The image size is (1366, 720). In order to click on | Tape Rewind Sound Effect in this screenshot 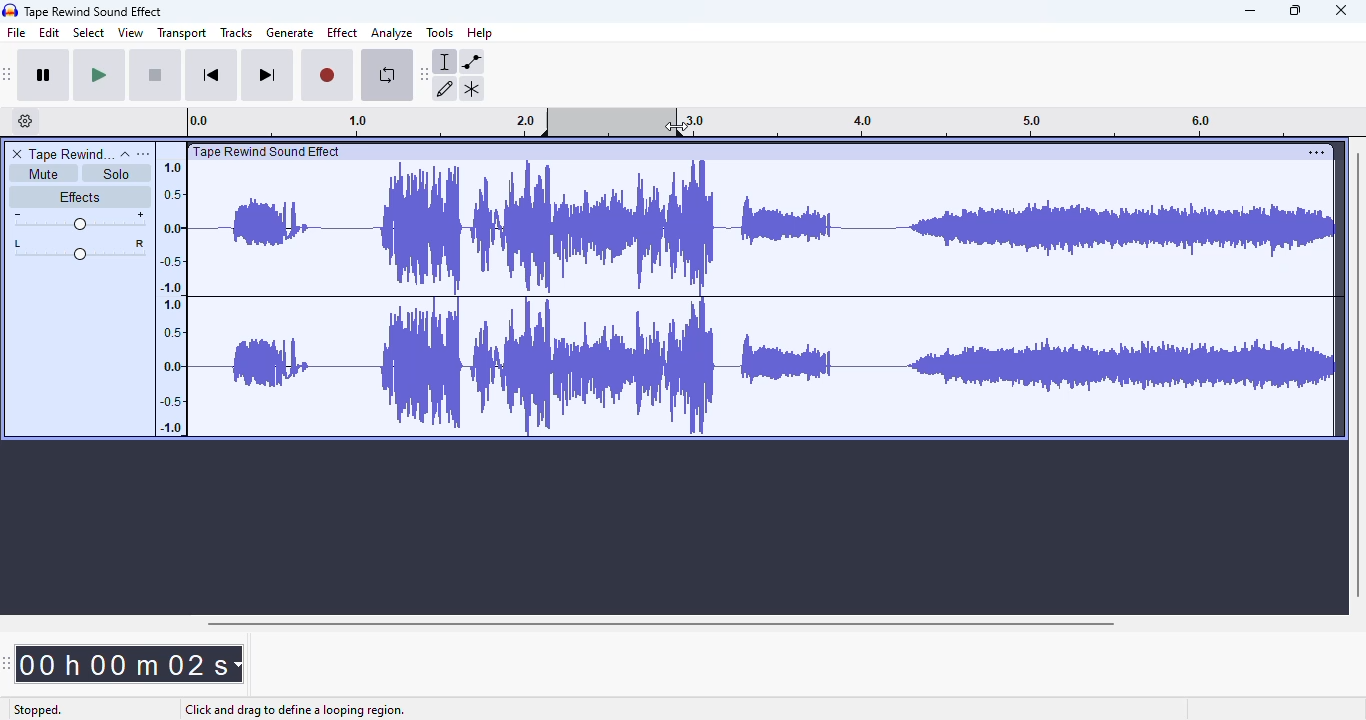, I will do `click(266, 152)`.